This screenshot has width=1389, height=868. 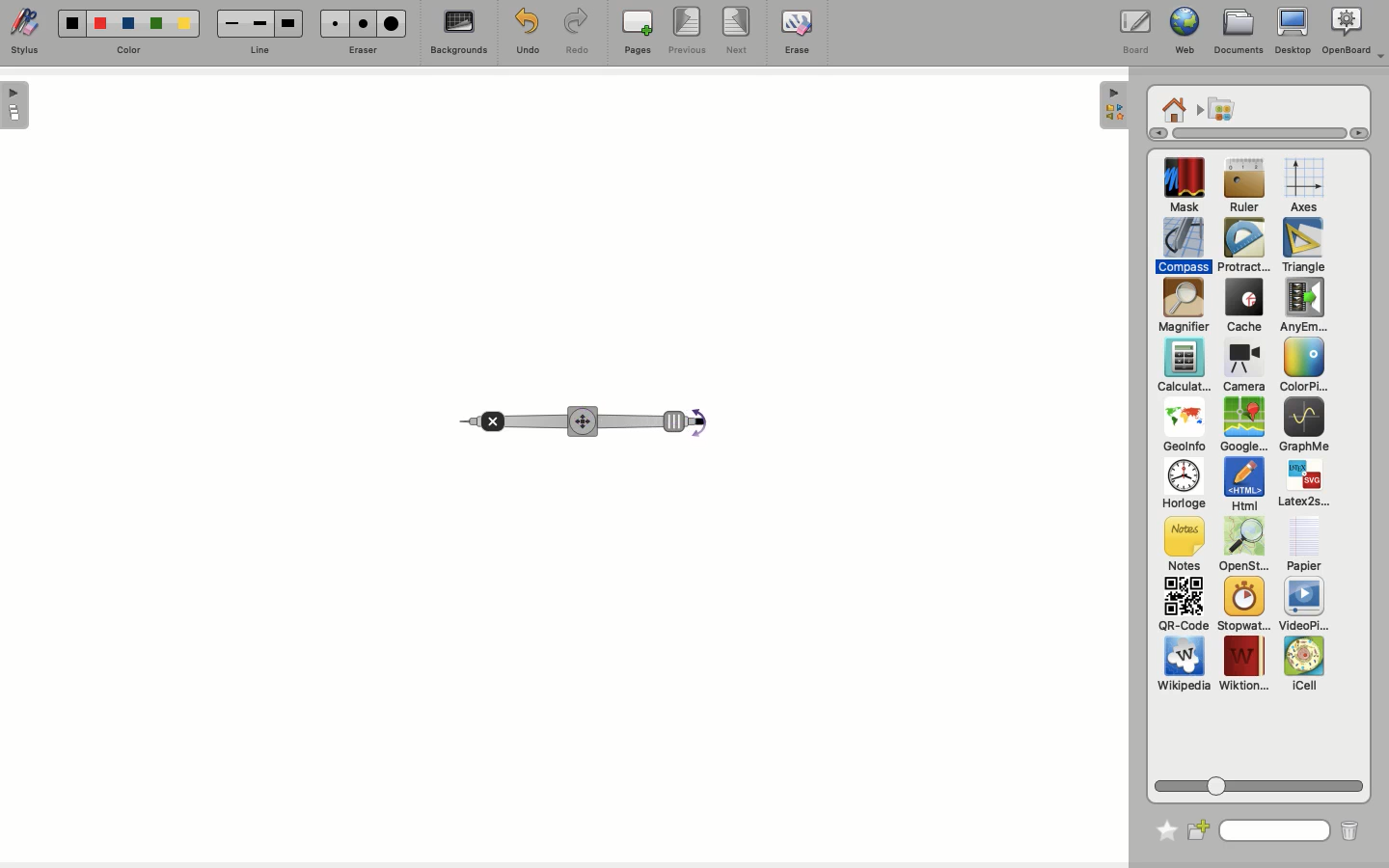 I want to click on iCell, so click(x=1305, y=665).